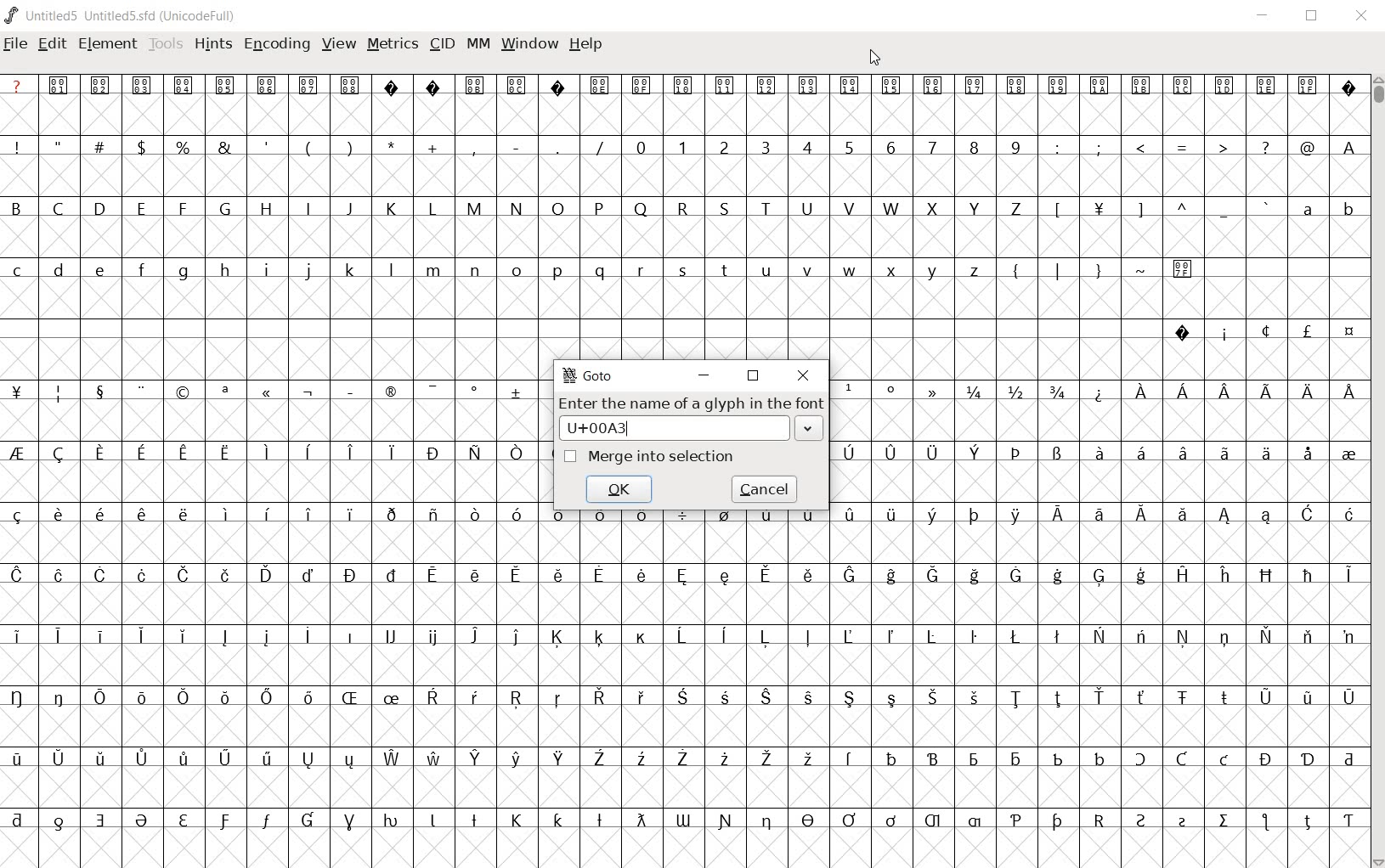 This screenshot has height=868, width=1385. Describe the element at coordinates (1267, 635) in the screenshot. I see `Symbol` at that location.